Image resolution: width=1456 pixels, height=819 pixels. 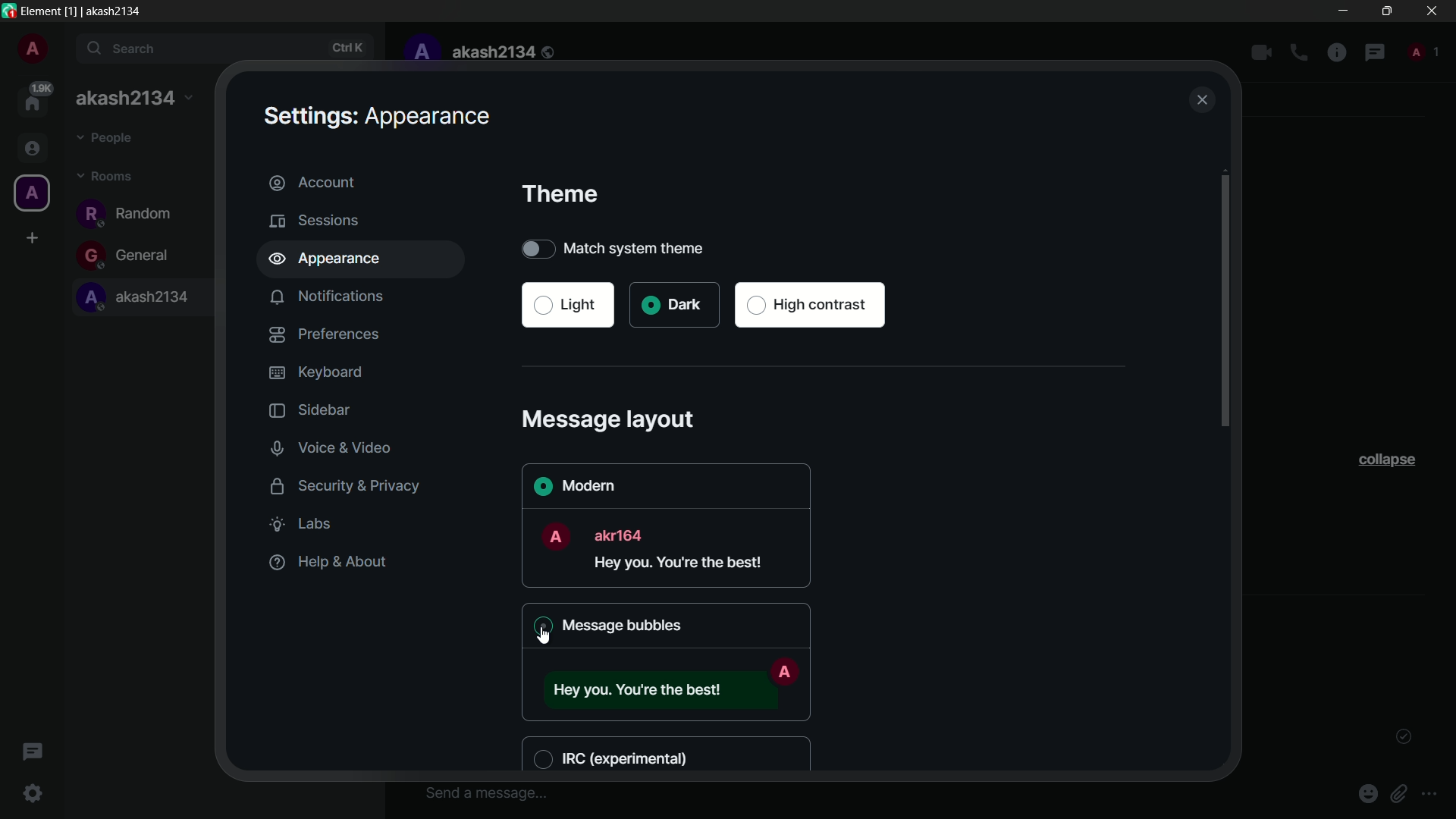 What do you see at coordinates (542, 639) in the screenshot?
I see `cursor` at bounding box center [542, 639].